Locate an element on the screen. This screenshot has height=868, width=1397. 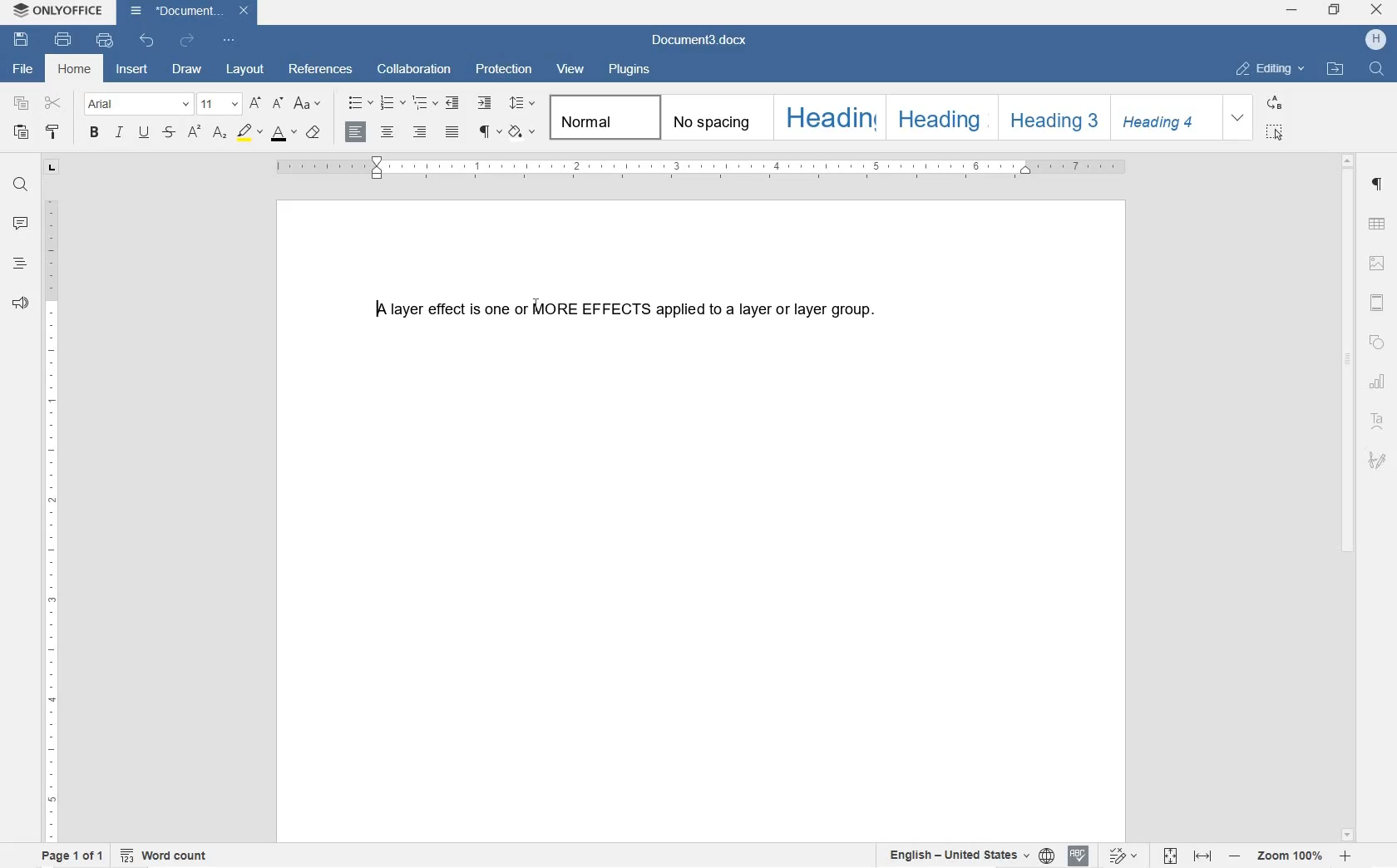
PAGE 1 OF 1 is located at coordinates (72, 856).